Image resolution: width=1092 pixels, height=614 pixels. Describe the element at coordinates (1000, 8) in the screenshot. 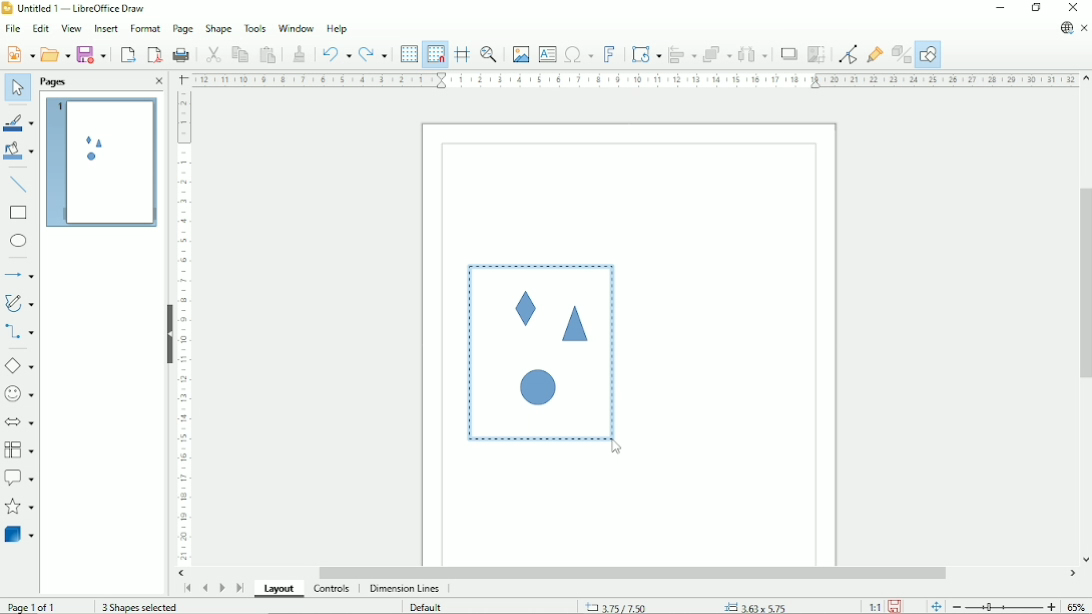

I see `Minimize` at that location.